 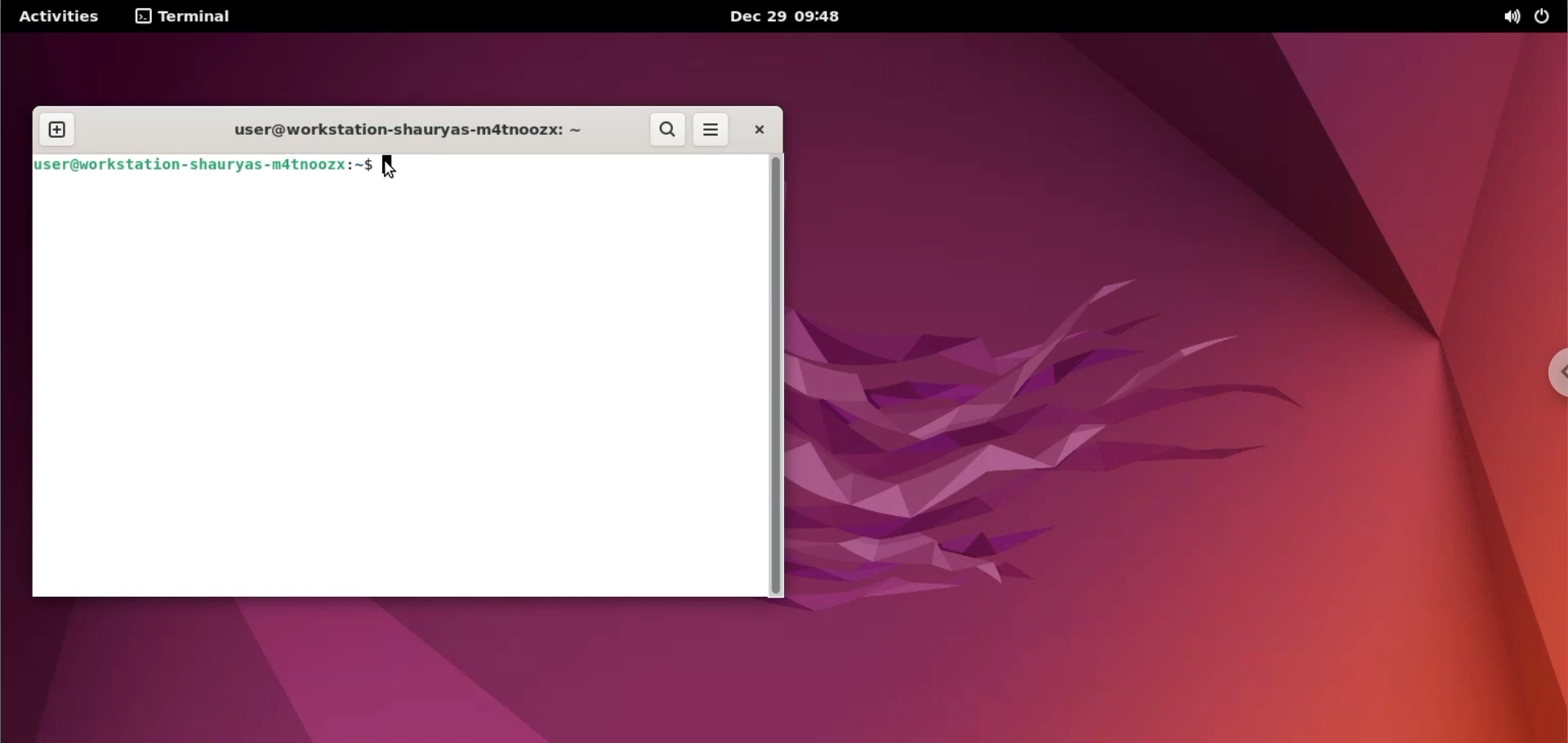 What do you see at coordinates (389, 167) in the screenshot?
I see `cursor` at bounding box center [389, 167].